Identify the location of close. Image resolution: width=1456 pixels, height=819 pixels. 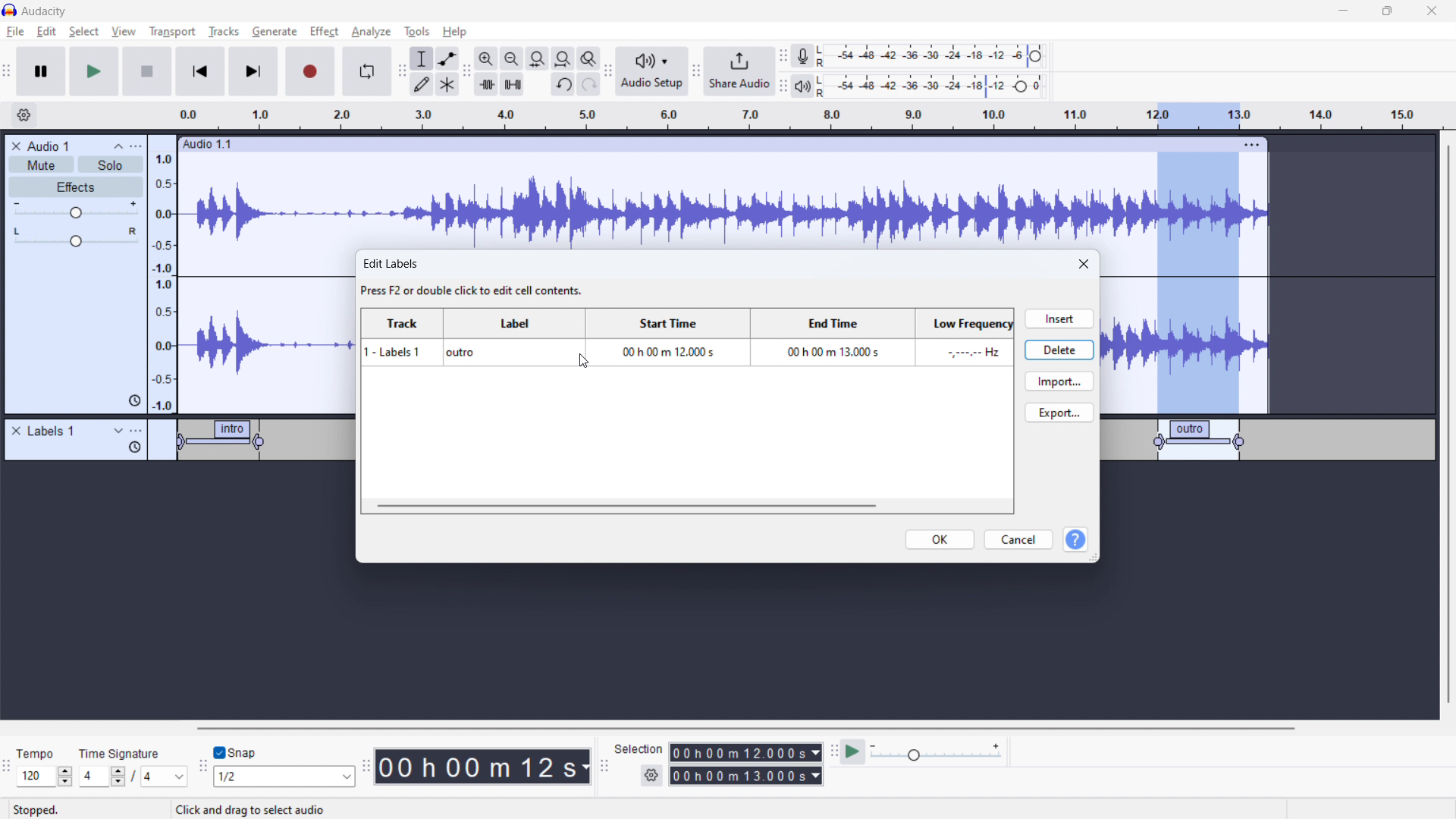
(1432, 11).